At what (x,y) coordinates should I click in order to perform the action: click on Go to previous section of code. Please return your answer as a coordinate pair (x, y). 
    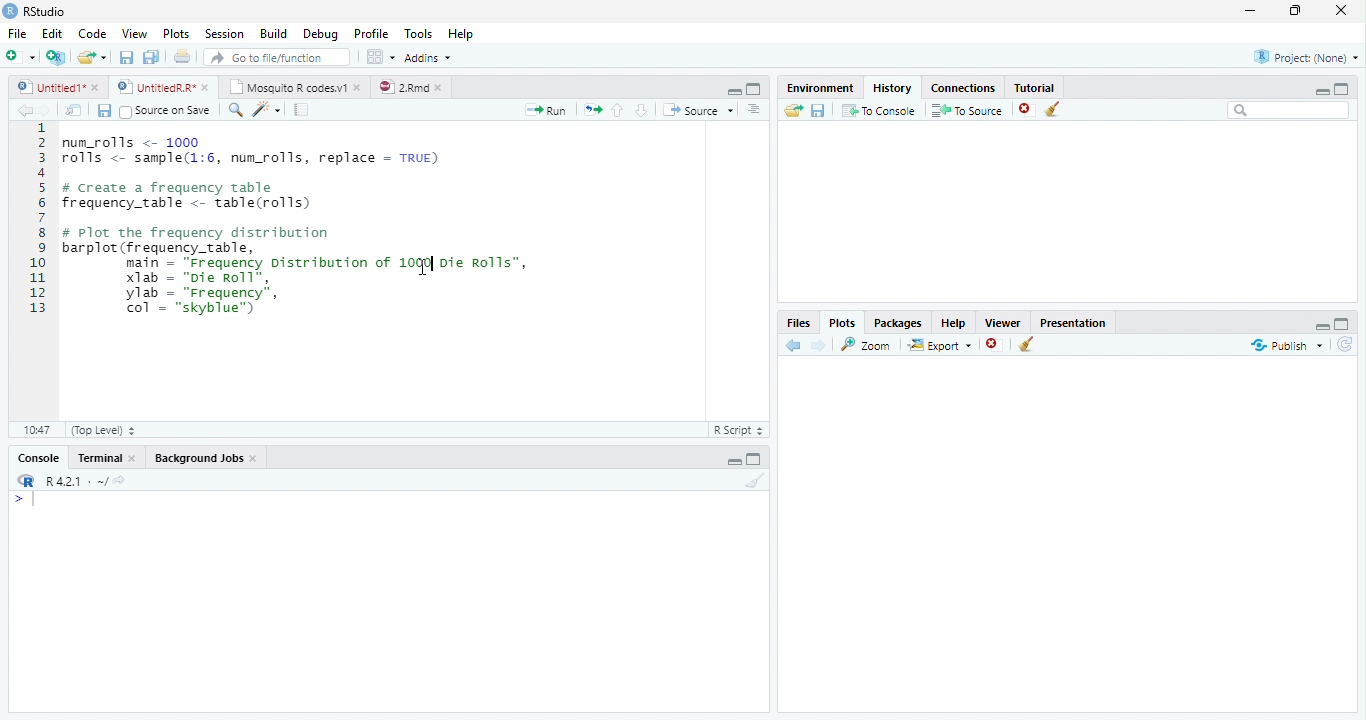
    Looking at the image, I should click on (619, 111).